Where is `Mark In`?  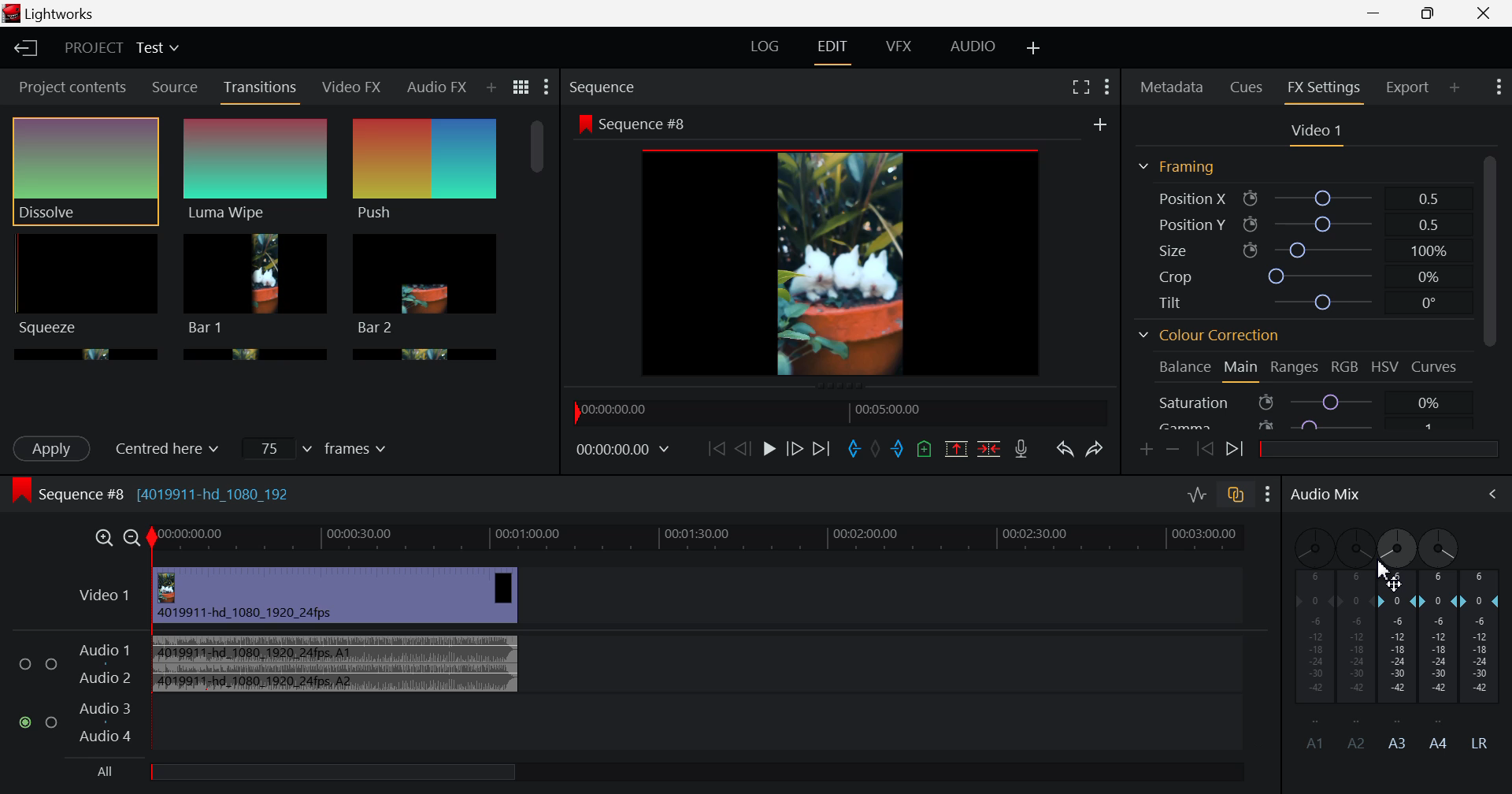
Mark In is located at coordinates (854, 450).